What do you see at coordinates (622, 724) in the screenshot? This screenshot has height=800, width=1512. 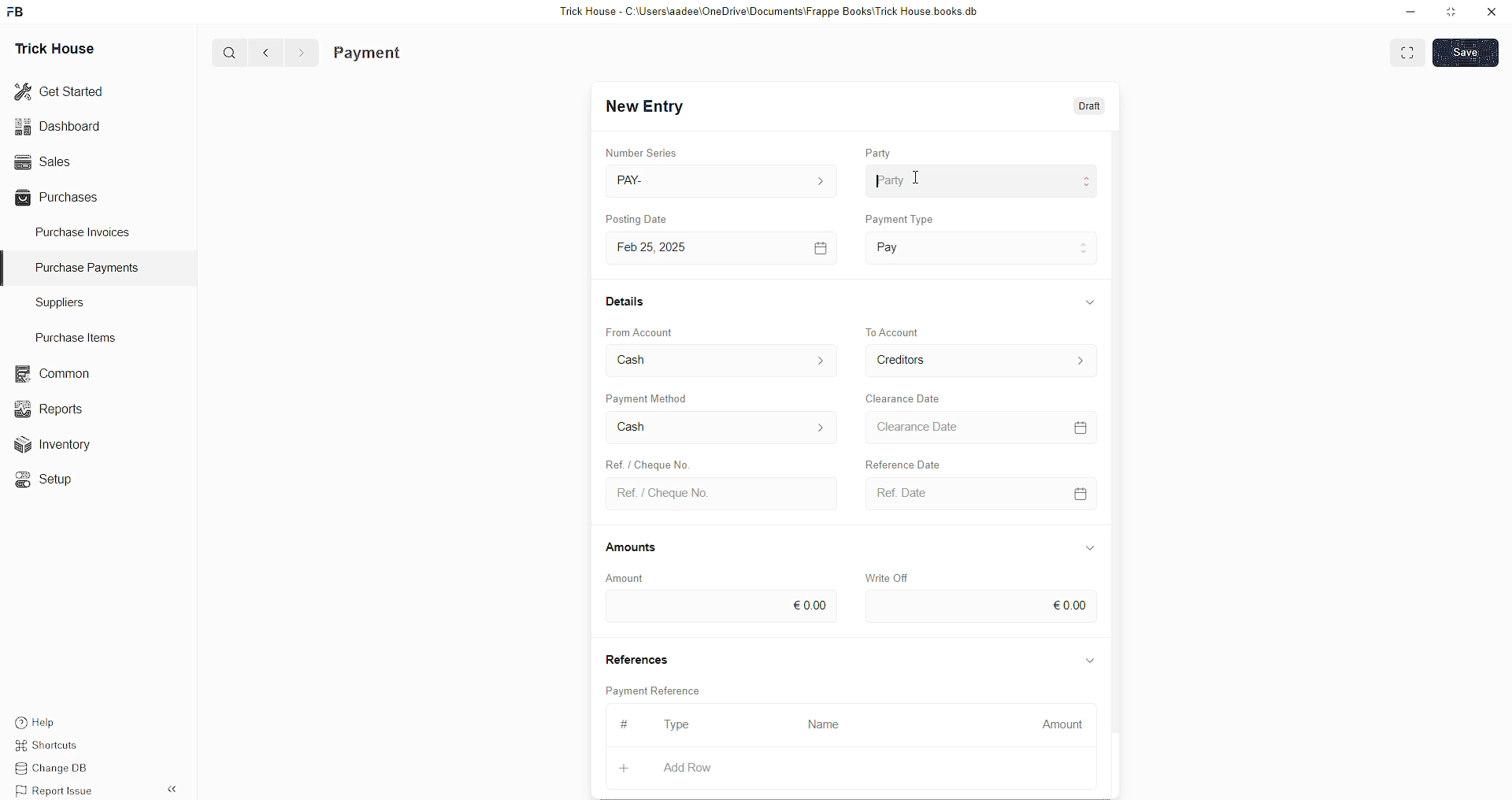 I see `#` at bounding box center [622, 724].